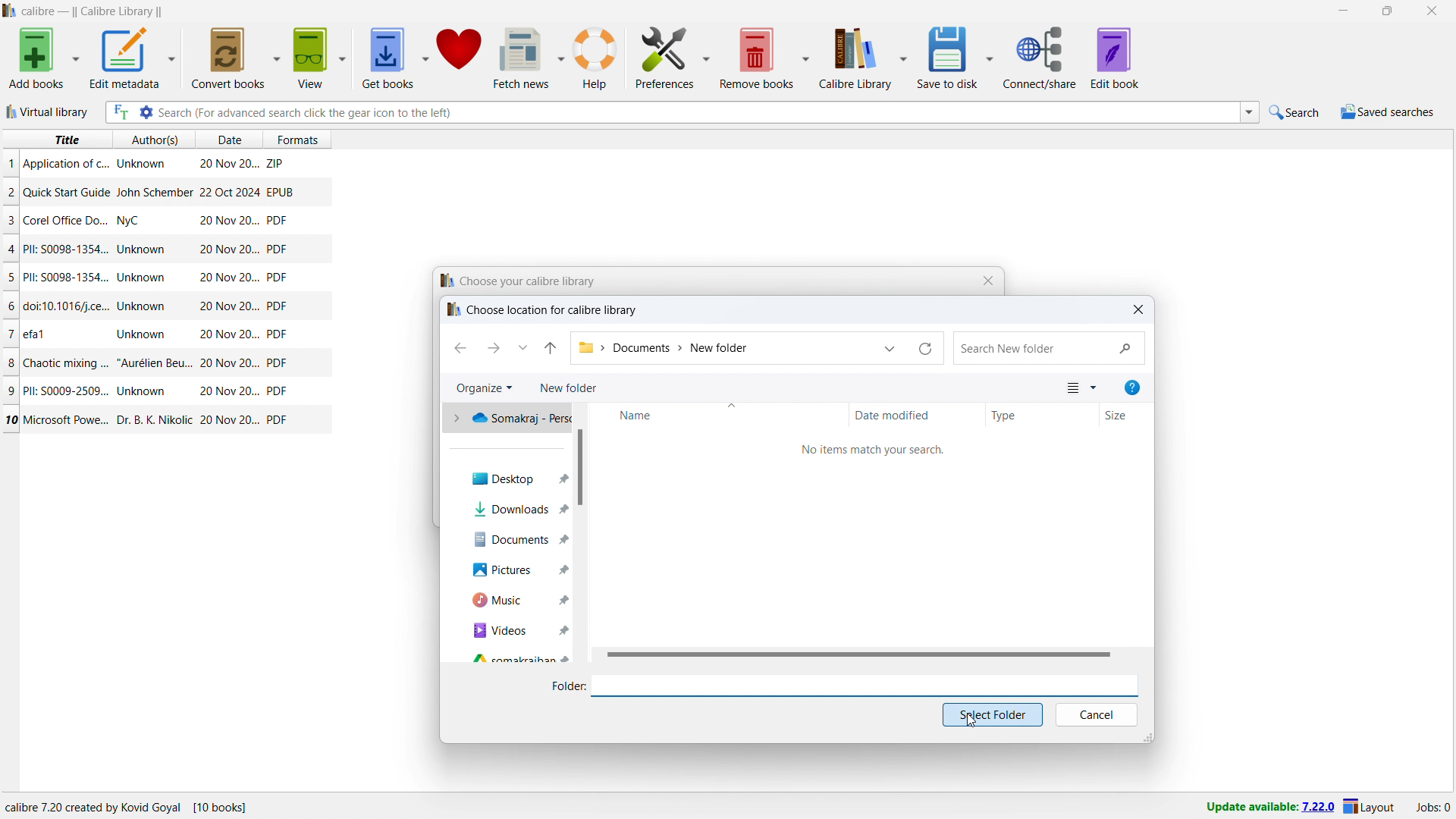 Image resolution: width=1456 pixels, height=819 pixels. Describe the element at coordinates (278, 248) in the screenshot. I see `PDF` at that location.